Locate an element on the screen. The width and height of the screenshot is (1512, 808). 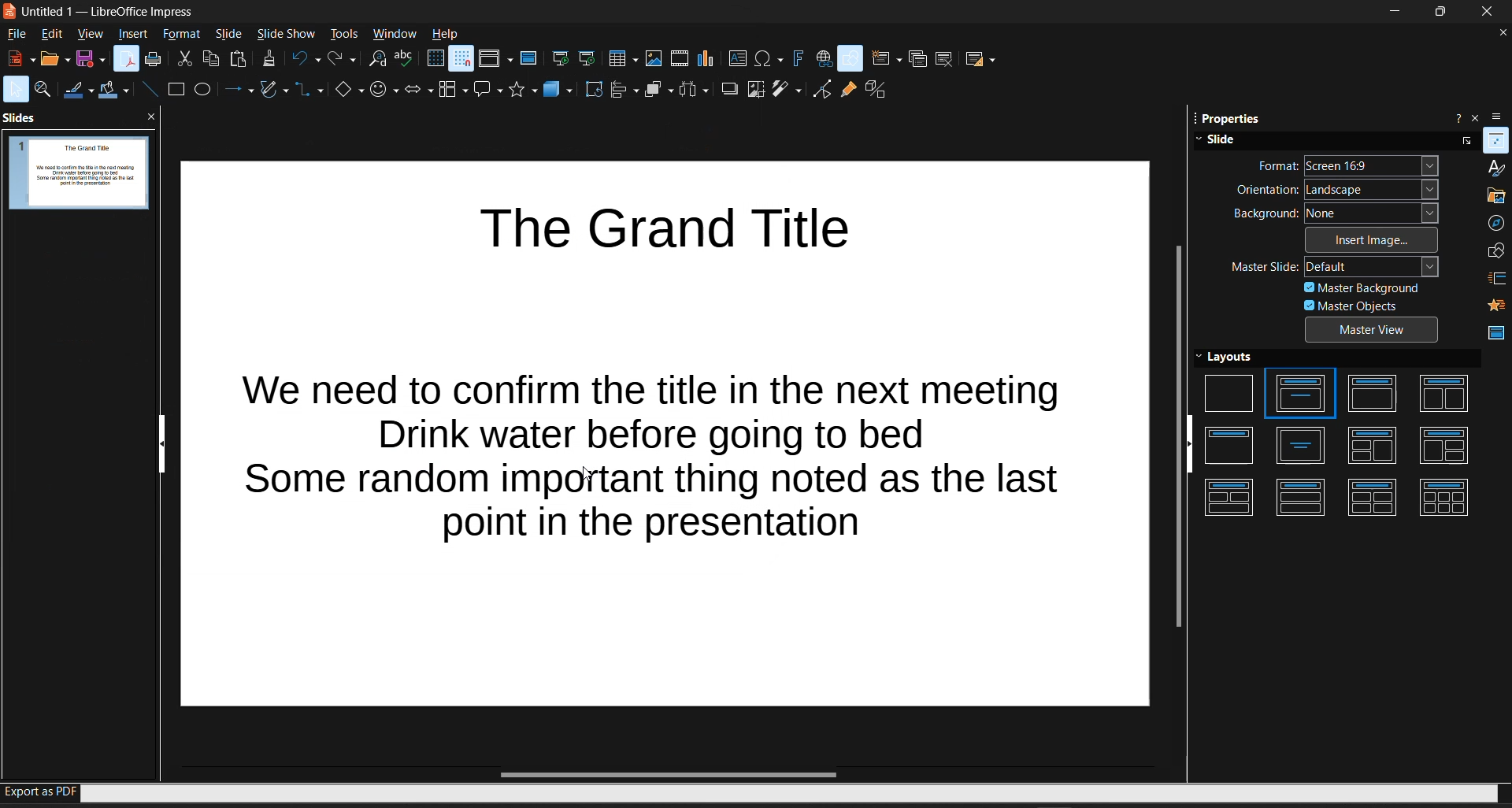
insert image is located at coordinates (651, 57).